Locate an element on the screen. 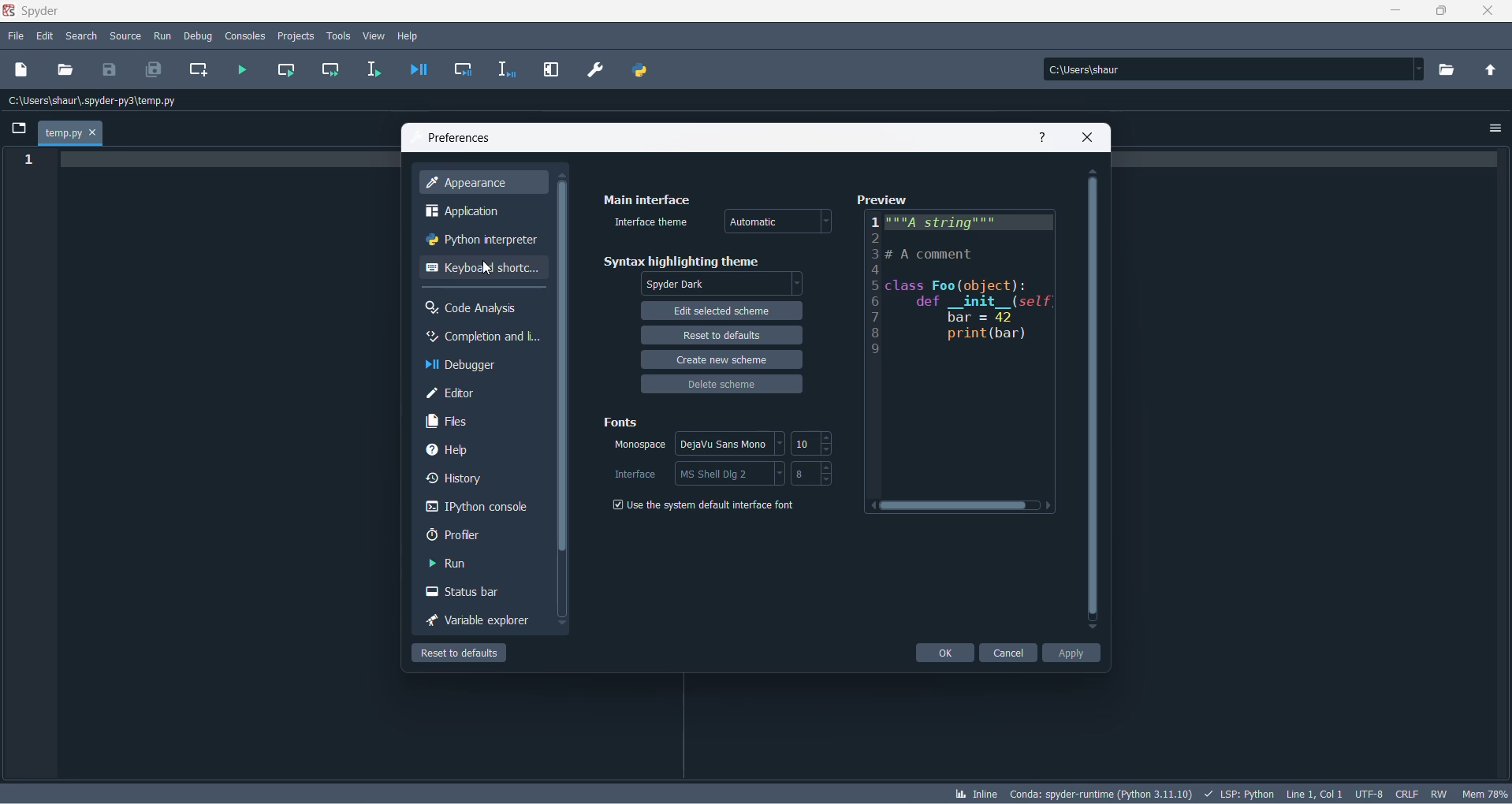 The image size is (1512, 804). run is located at coordinates (464, 564).